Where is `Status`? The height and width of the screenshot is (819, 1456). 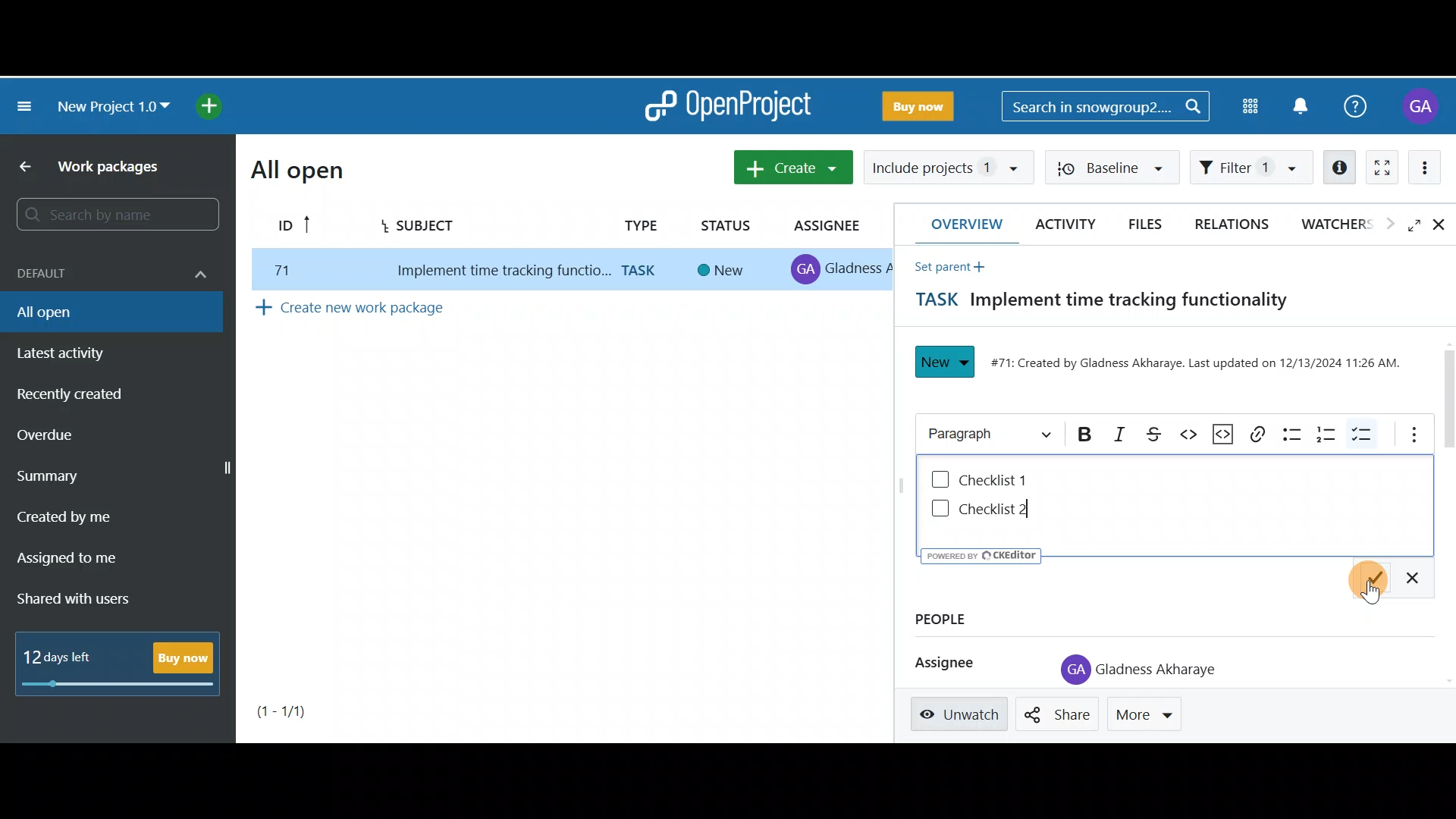 Status is located at coordinates (727, 222).